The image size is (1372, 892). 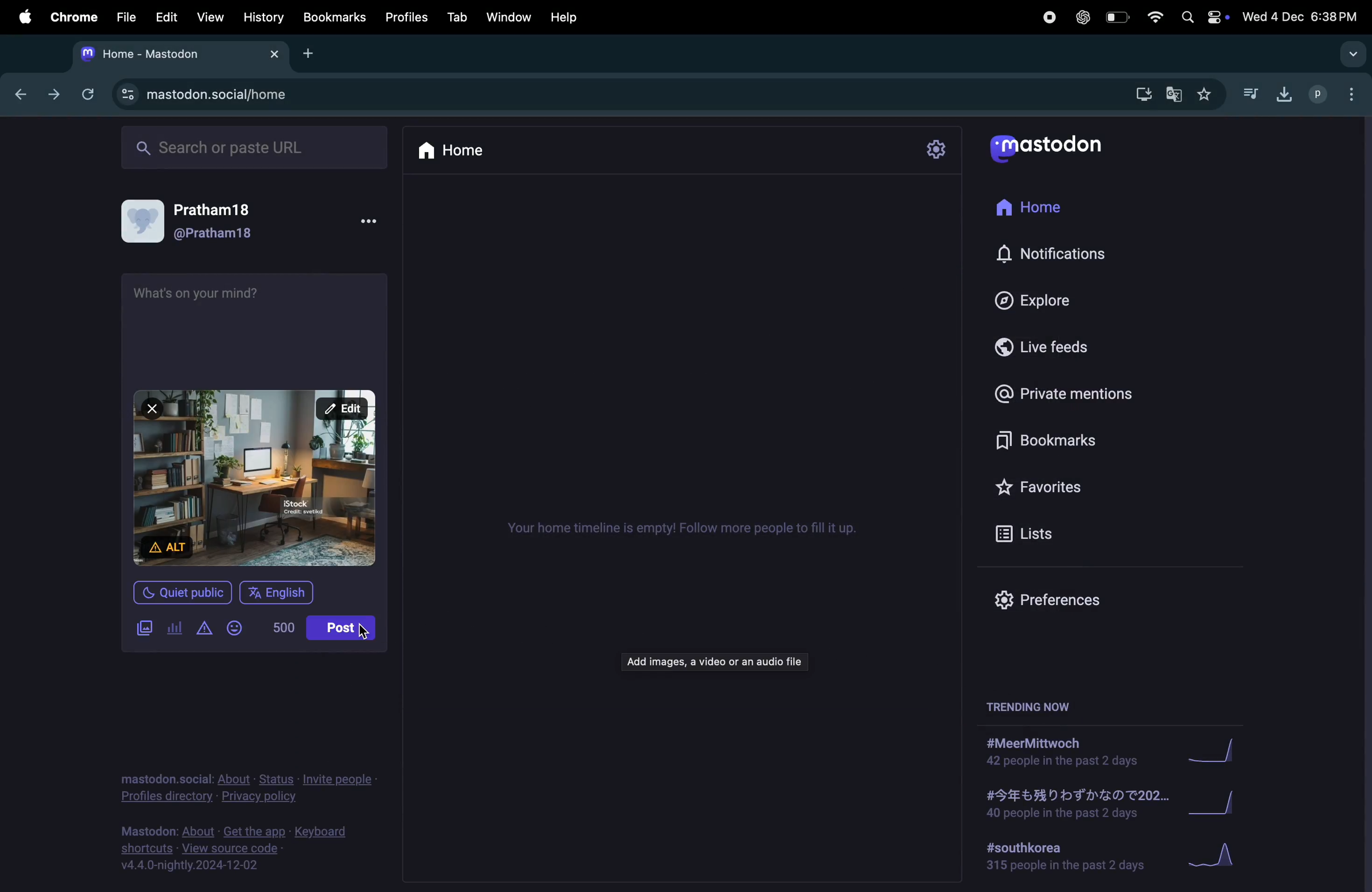 What do you see at coordinates (1155, 17) in the screenshot?
I see `wifi` at bounding box center [1155, 17].